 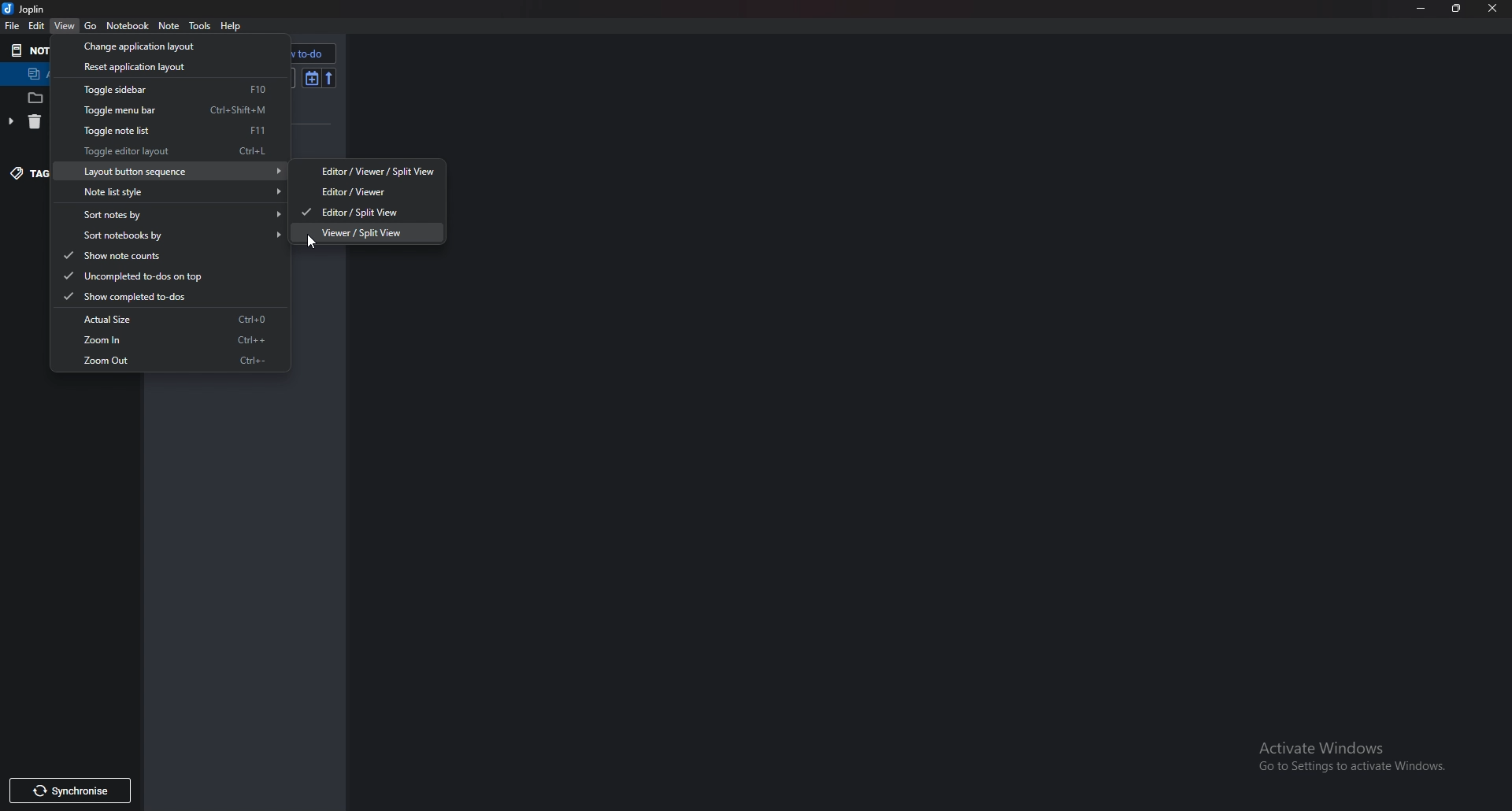 What do you see at coordinates (68, 793) in the screenshot?
I see `Synchronize` at bounding box center [68, 793].